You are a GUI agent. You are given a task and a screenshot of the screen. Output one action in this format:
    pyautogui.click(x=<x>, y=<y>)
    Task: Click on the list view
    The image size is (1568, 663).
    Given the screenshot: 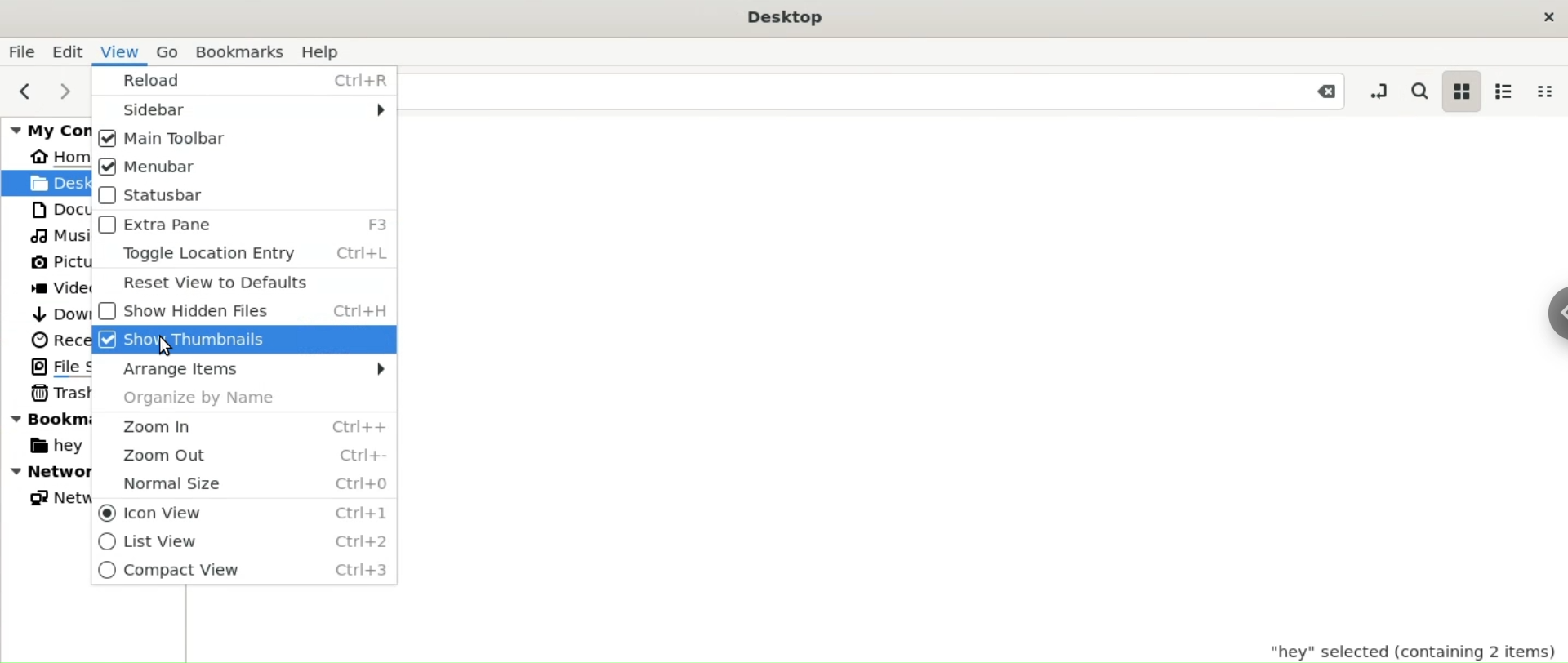 What is the action you would take?
    pyautogui.click(x=1508, y=91)
    